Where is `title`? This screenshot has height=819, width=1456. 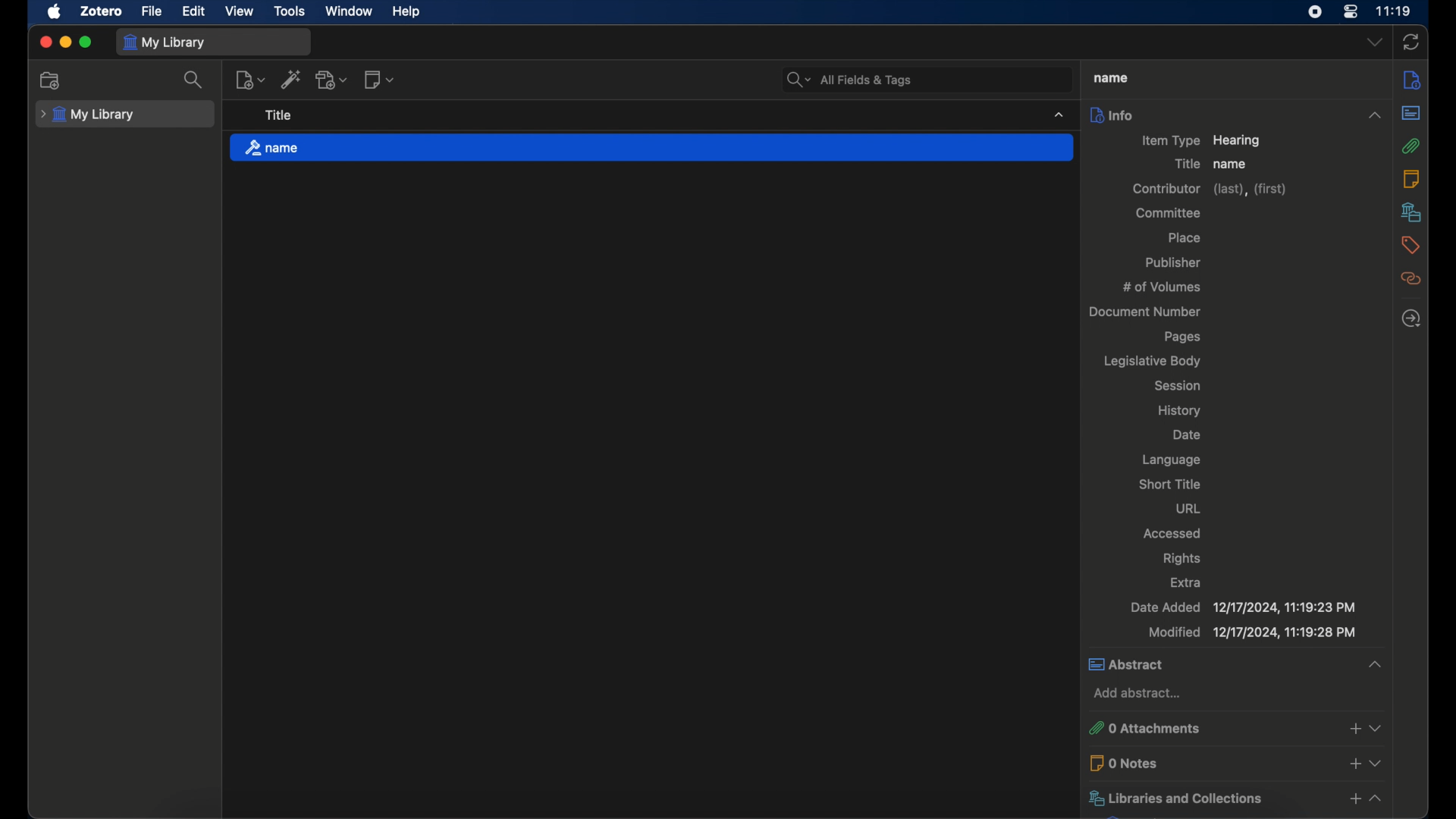
title is located at coordinates (278, 115).